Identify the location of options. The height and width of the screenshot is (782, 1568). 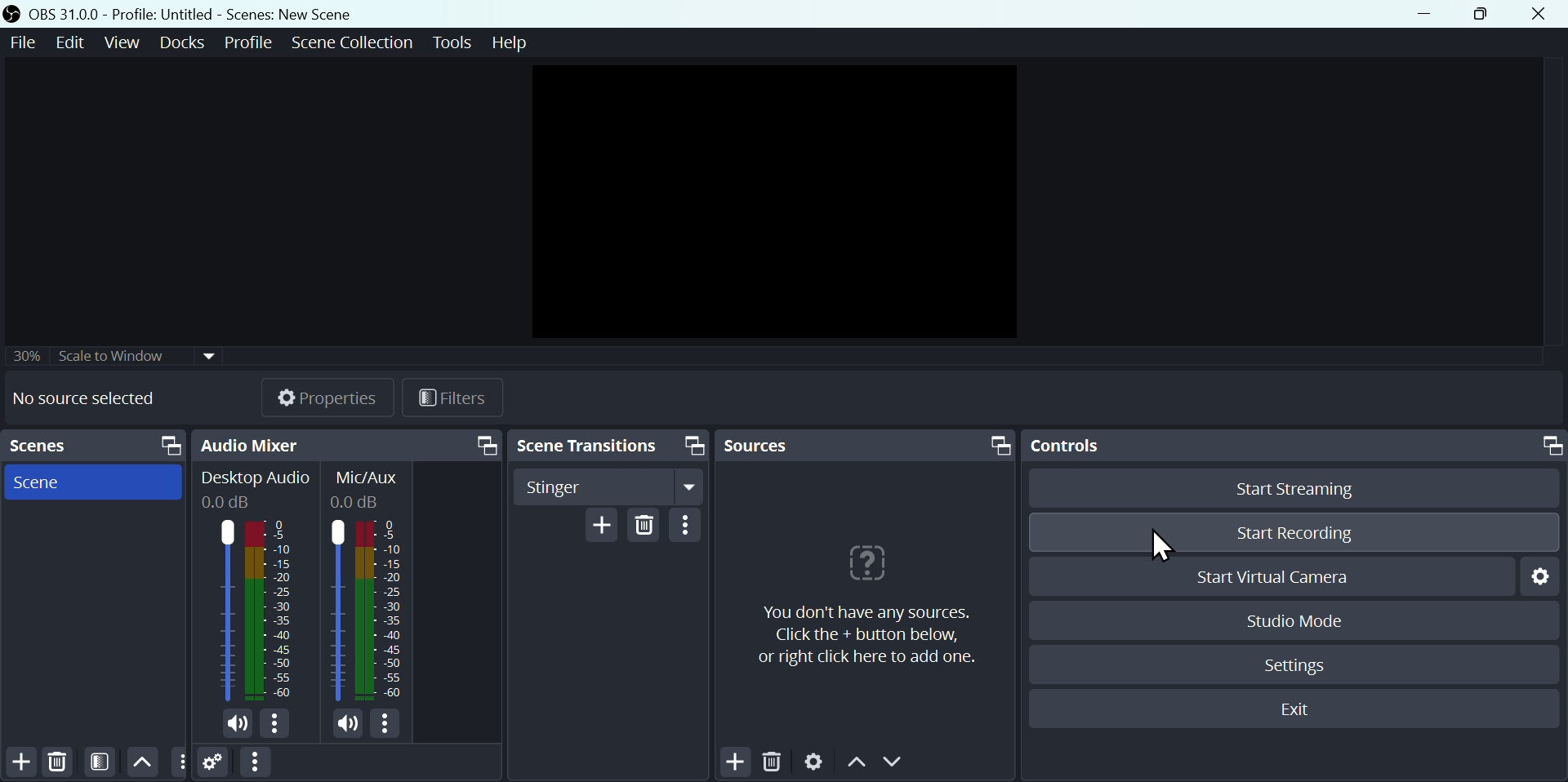
(688, 526).